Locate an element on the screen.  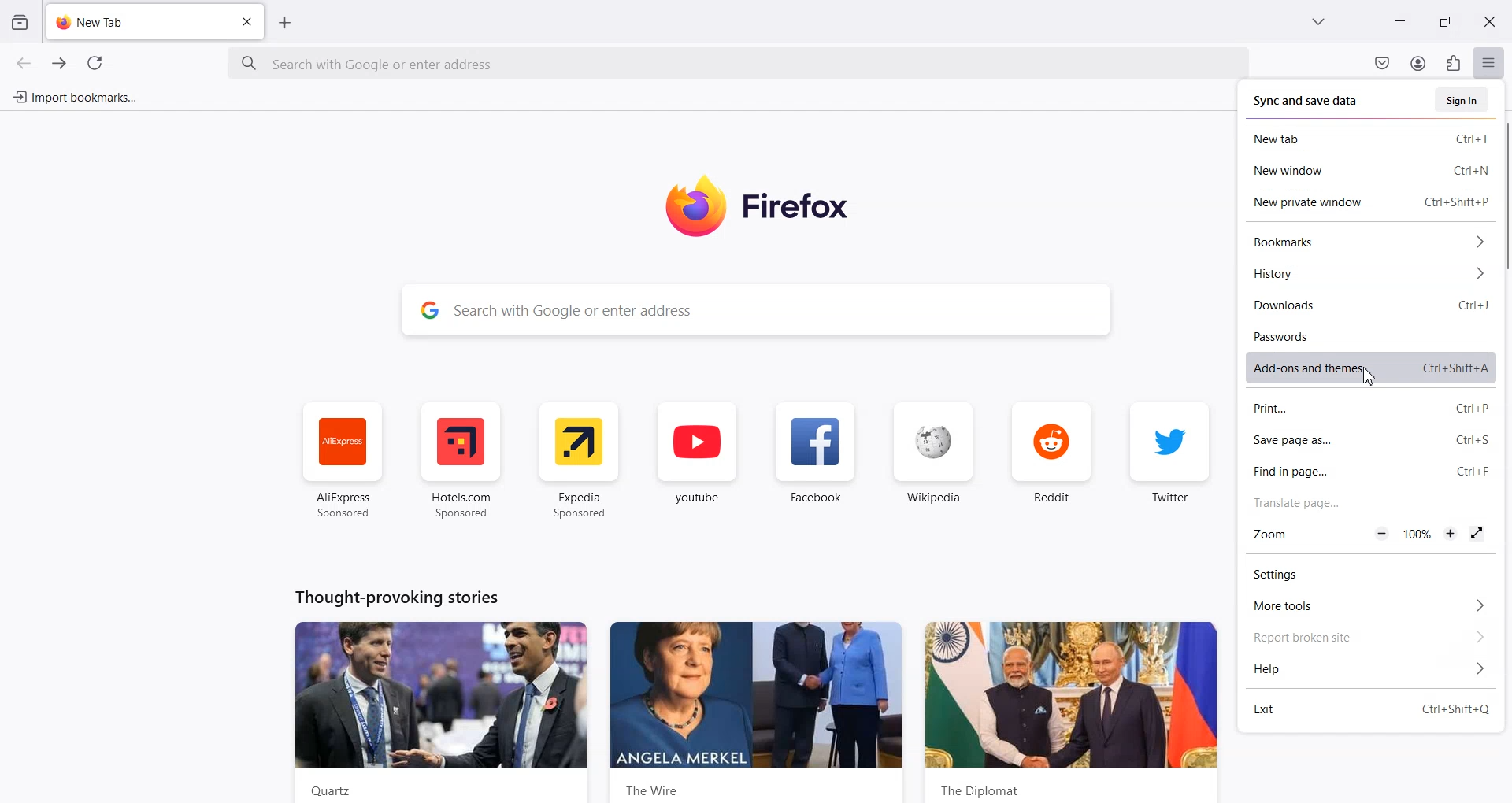
youtube is located at coordinates (700, 459).